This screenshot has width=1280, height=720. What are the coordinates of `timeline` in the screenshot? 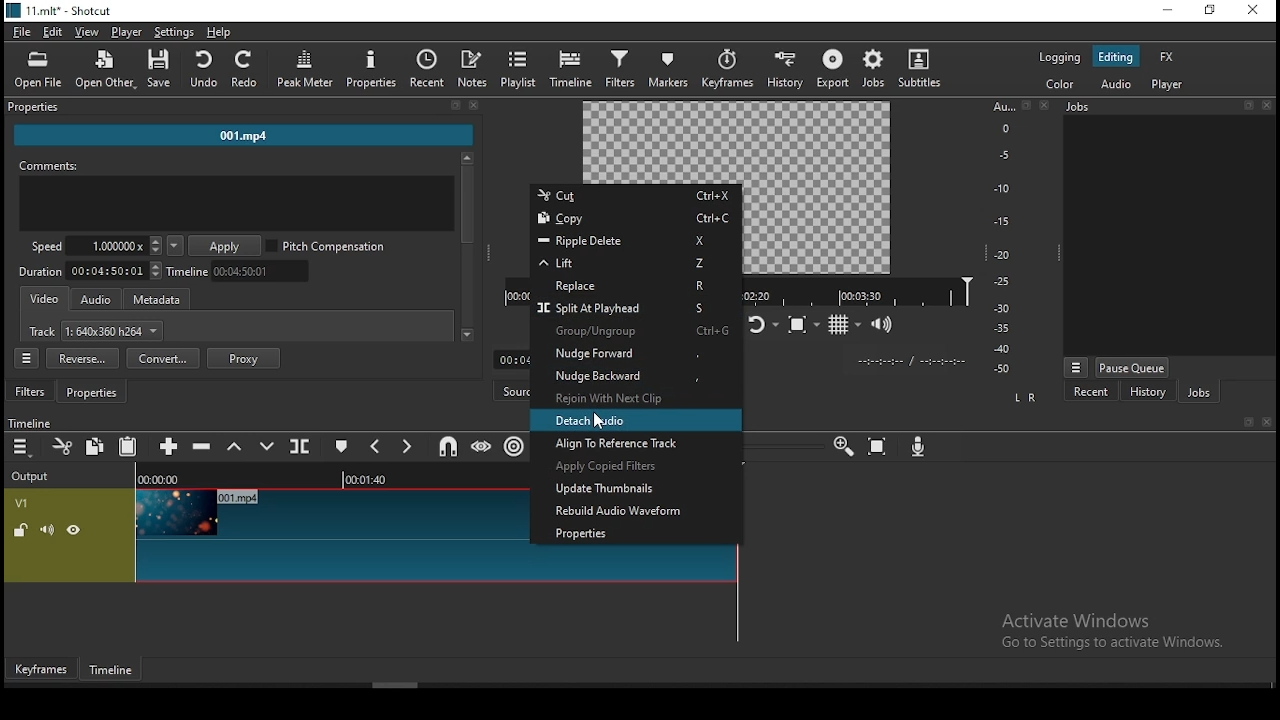 It's located at (115, 669).